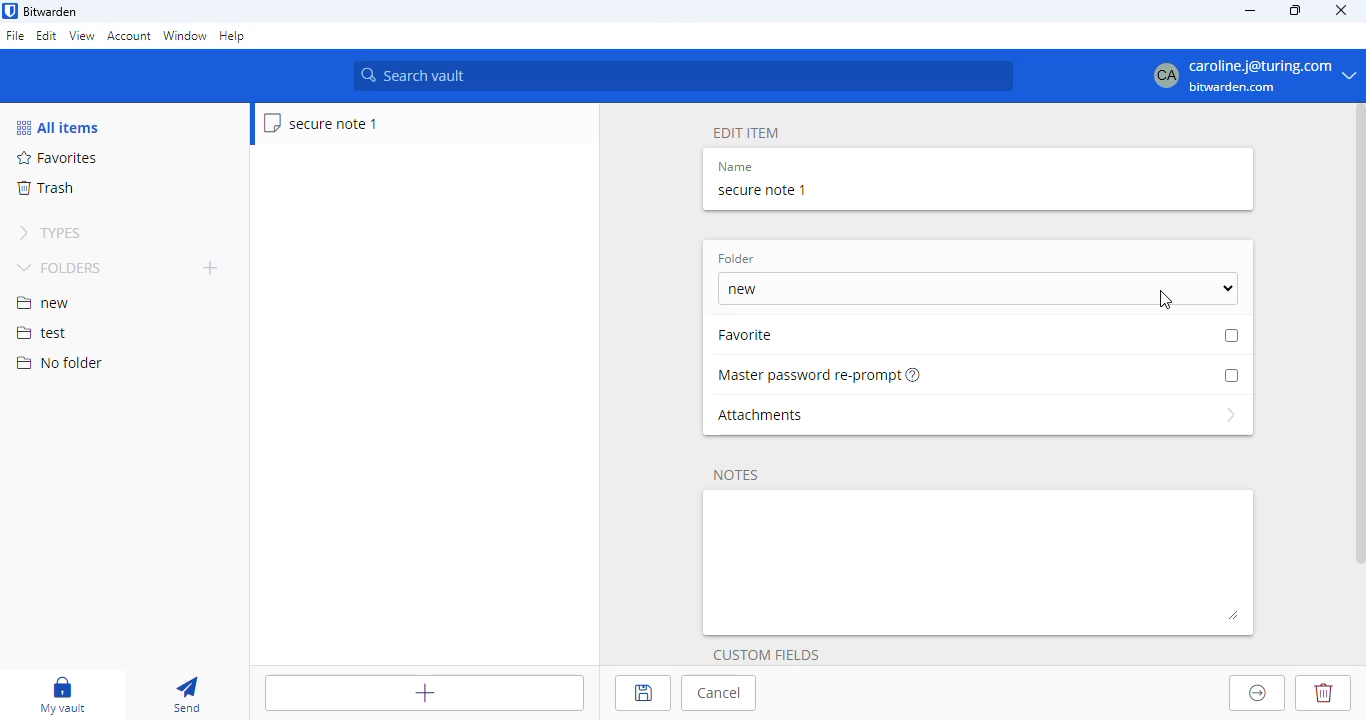  I want to click on notes, so click(736, 476).